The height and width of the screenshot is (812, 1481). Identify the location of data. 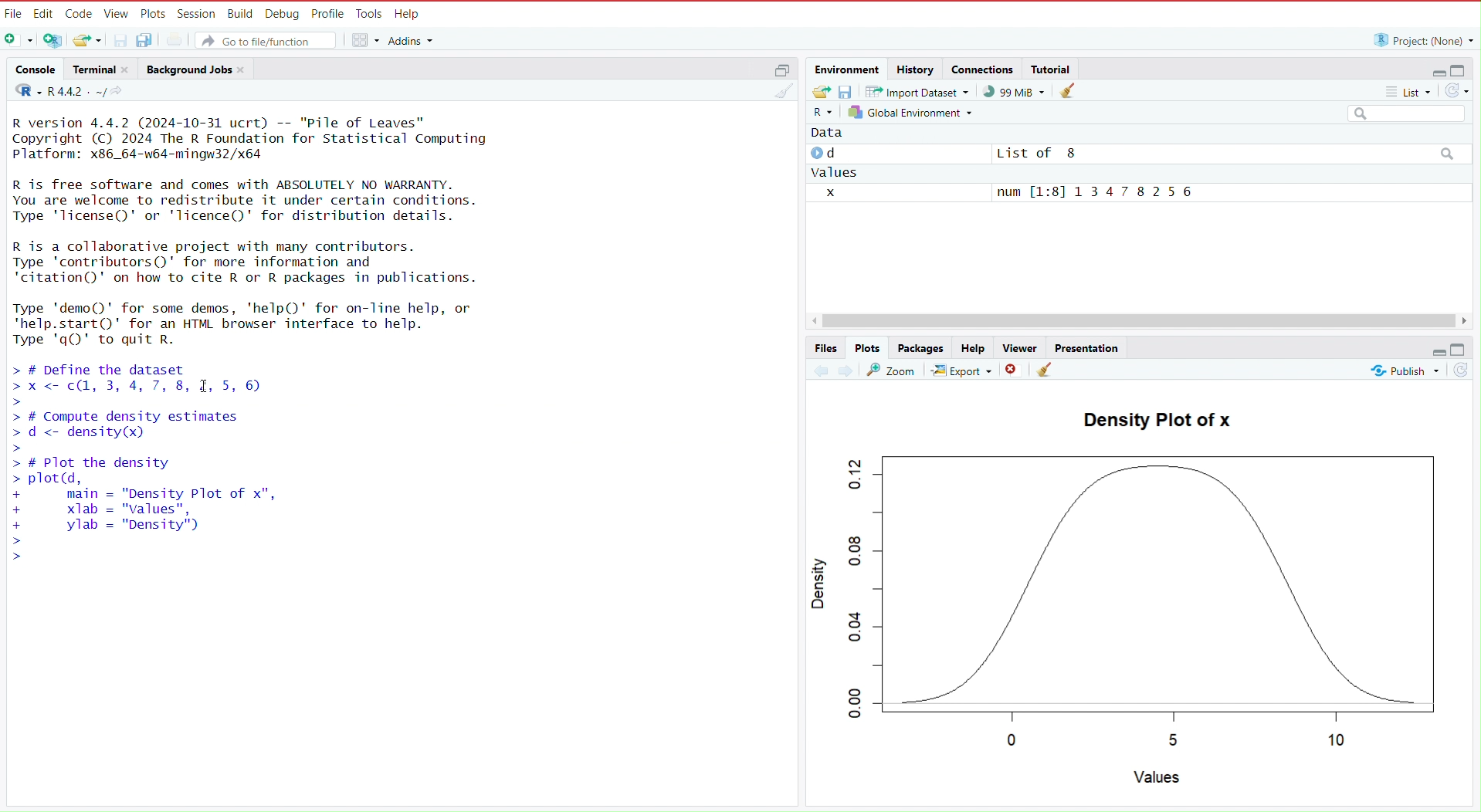
(829, 137).